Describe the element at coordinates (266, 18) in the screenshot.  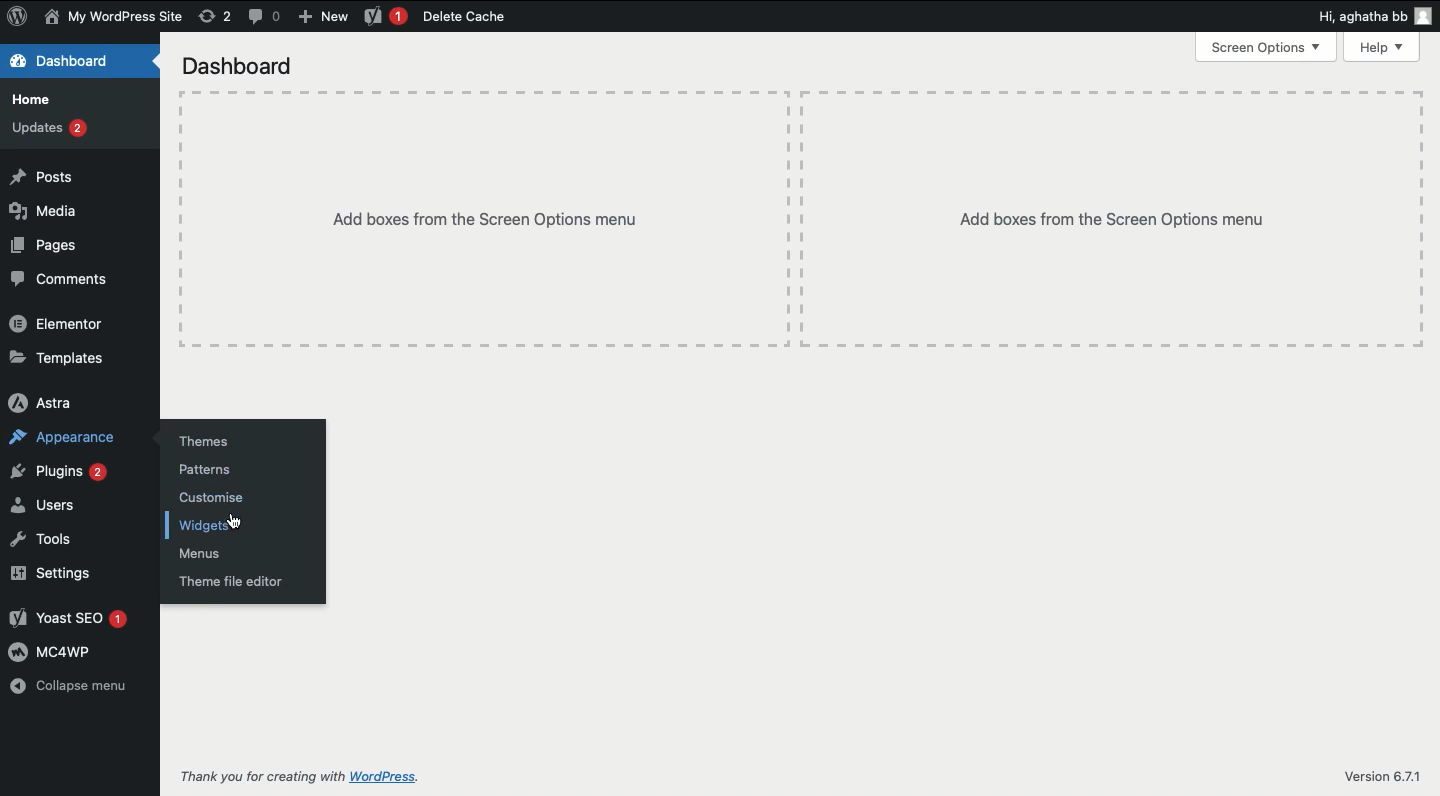
I see `comments` at that location.